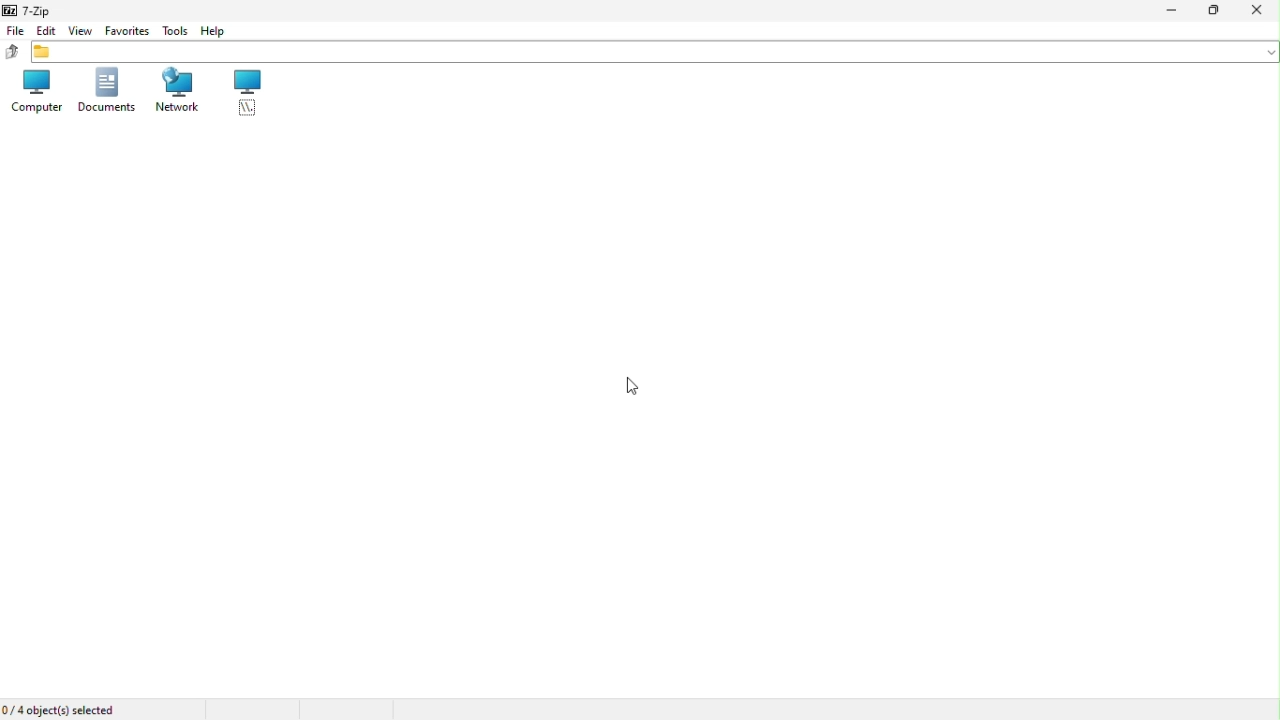 This screenshot has height=720, width=1280. What do you see at coordinates (28, 11) in the screenshot?
I see `7-zip` at bounding box center [28, 11].